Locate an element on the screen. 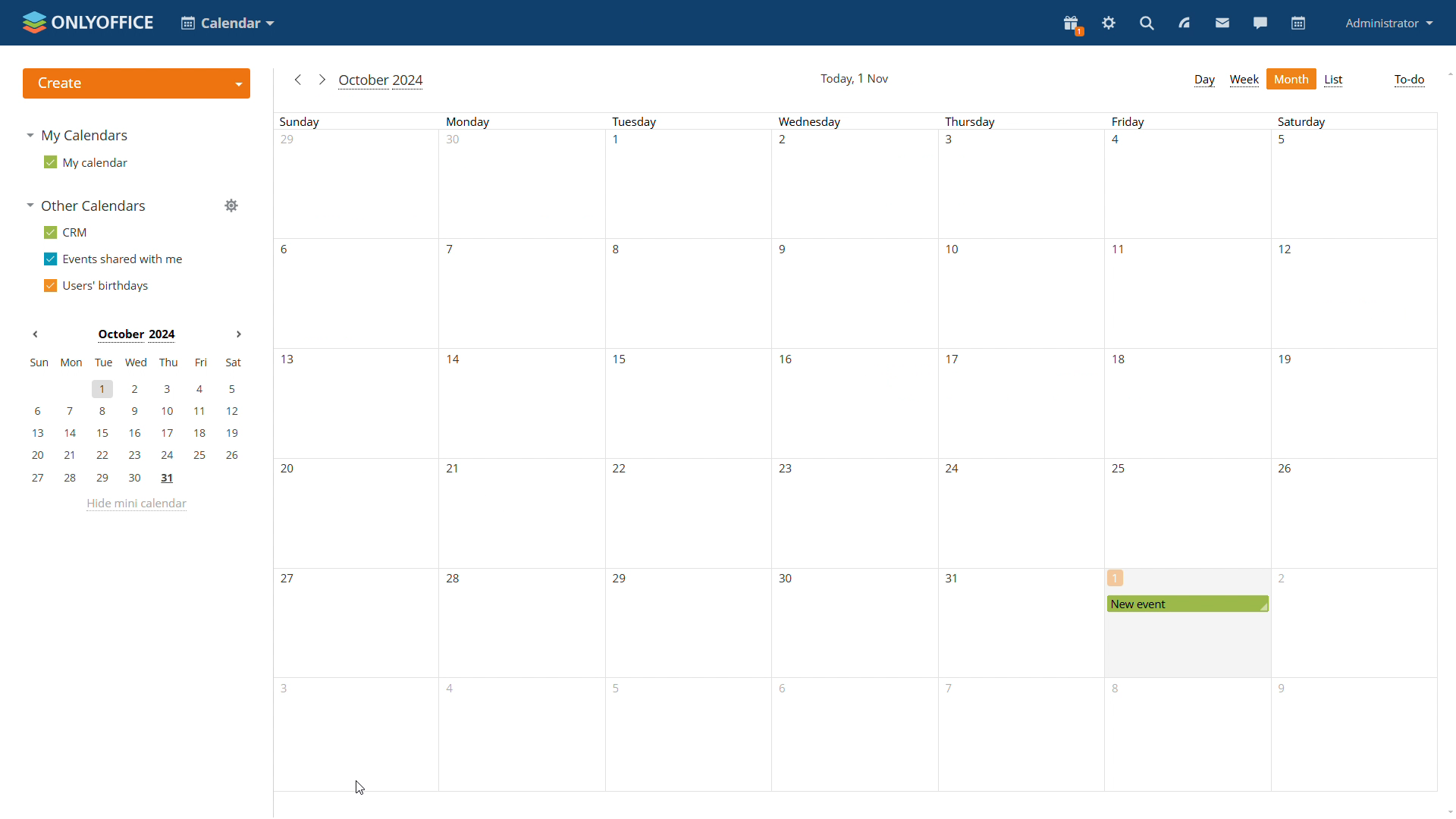 Image resolution: width=1456 pixels, height=819 pixels. mini calendar is located at coordinates (135, 421).